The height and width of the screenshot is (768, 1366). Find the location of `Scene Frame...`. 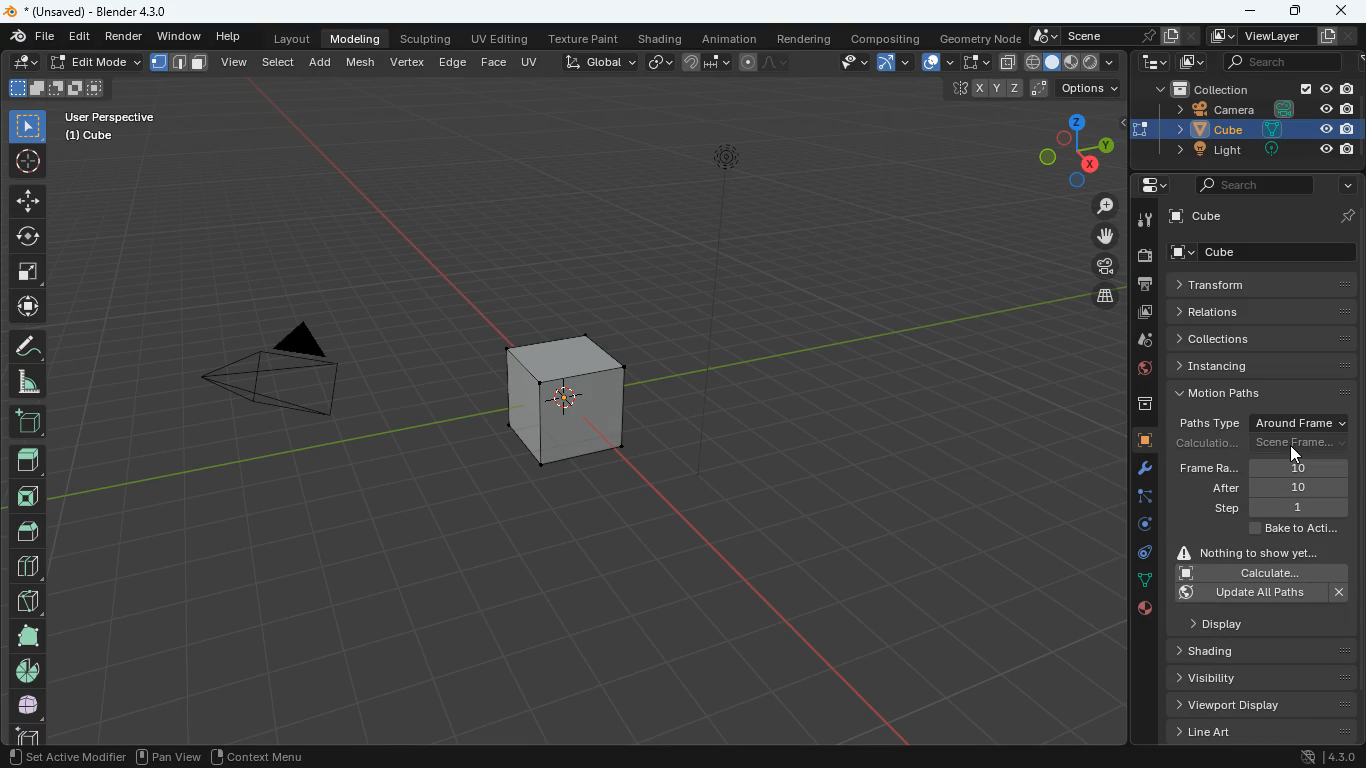

Scene Frame... is located at coordinates (1299, 443).